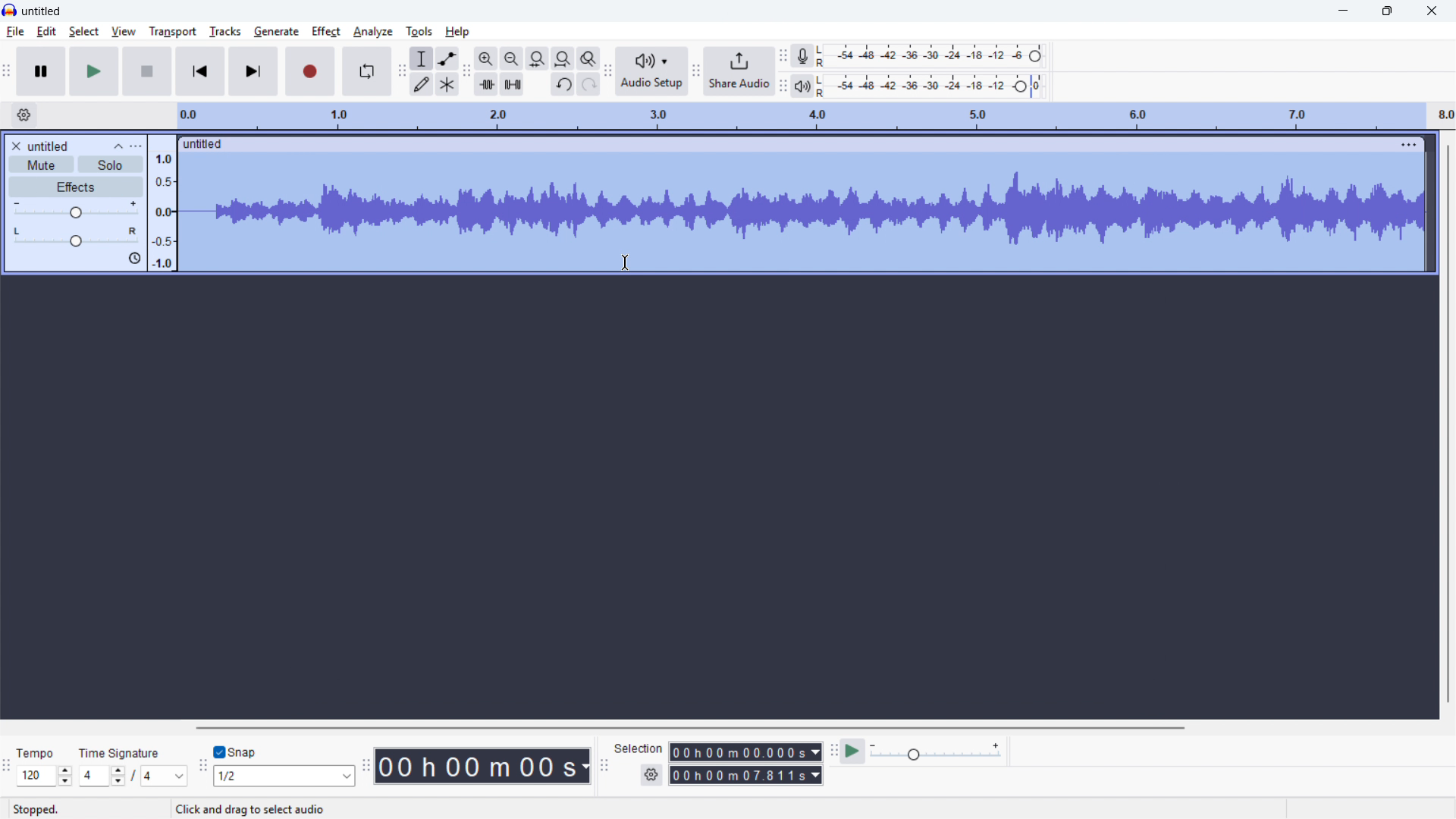 The image size is (1456, 819). I want to click on effects, so click(76, 187).